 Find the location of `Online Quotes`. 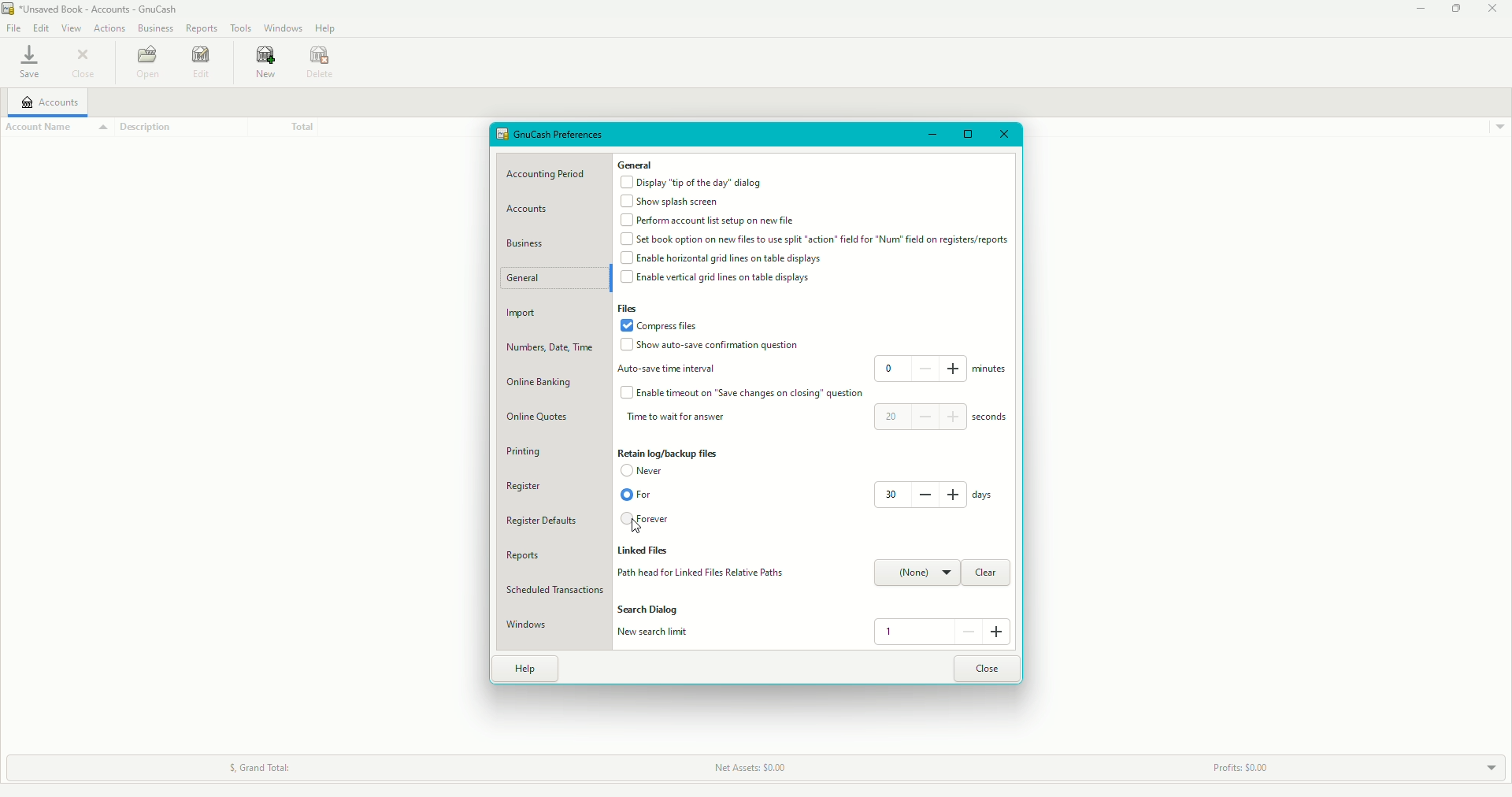

Online Quotes is located at coordinates (542, 418).